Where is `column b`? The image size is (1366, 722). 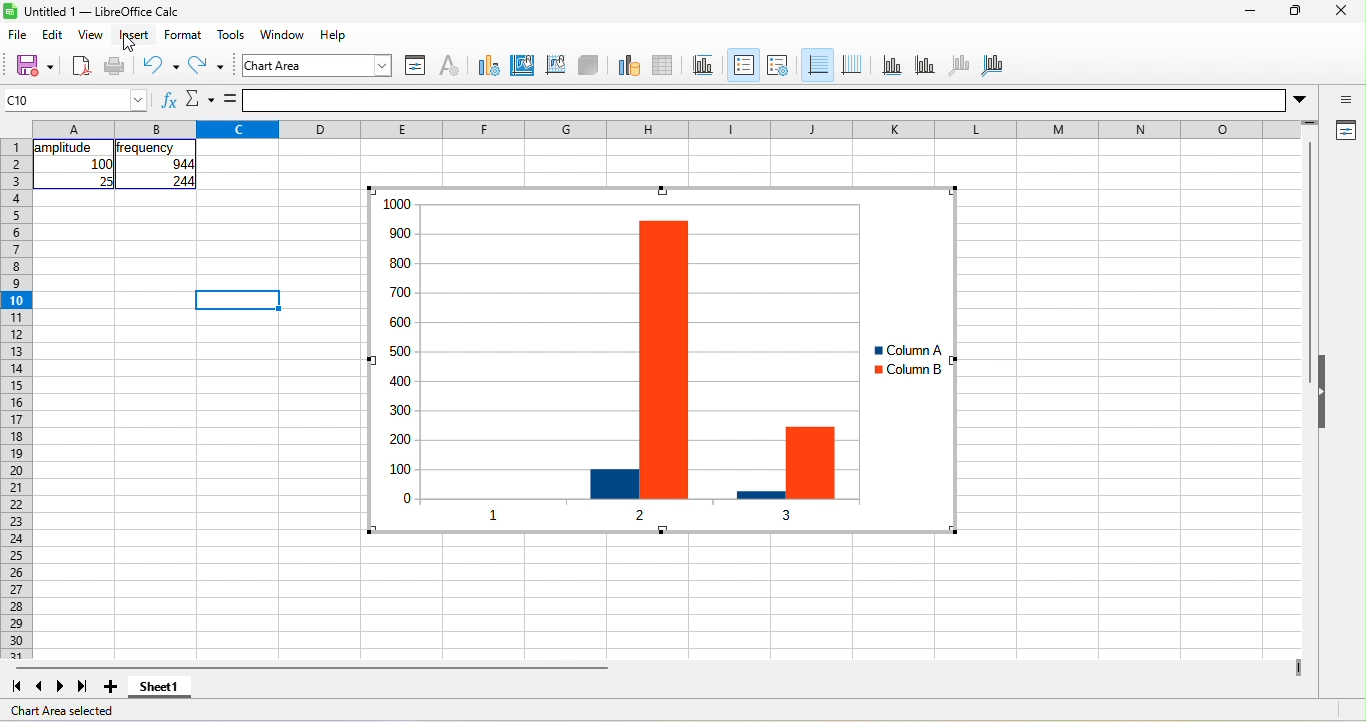
column b is located at coordinates (907, 372).